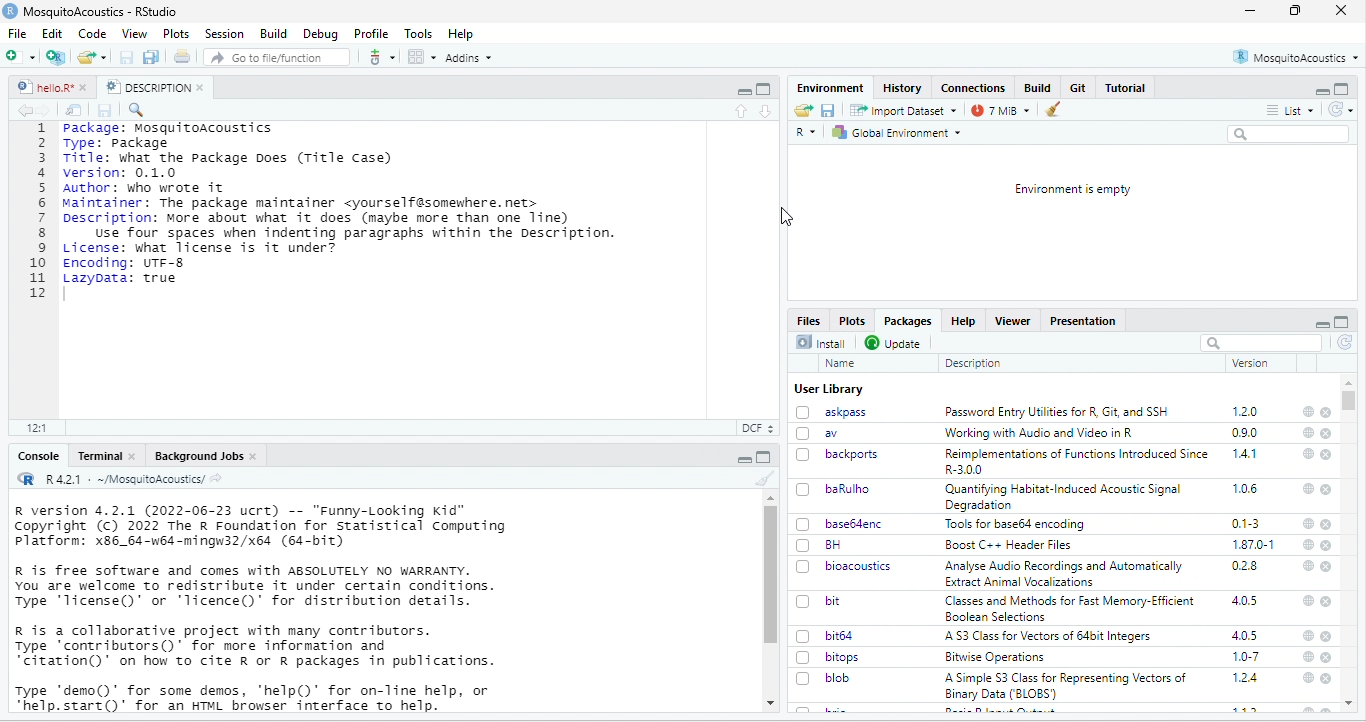 Image resolution: width=1366 pixels, height=722 pixels. Describe the element at coordinates (1067, 686) in the screenshot. I see `A Simple S3 Class for Representing Vectors of Binary Data (‘BLOBS’)` at that location.